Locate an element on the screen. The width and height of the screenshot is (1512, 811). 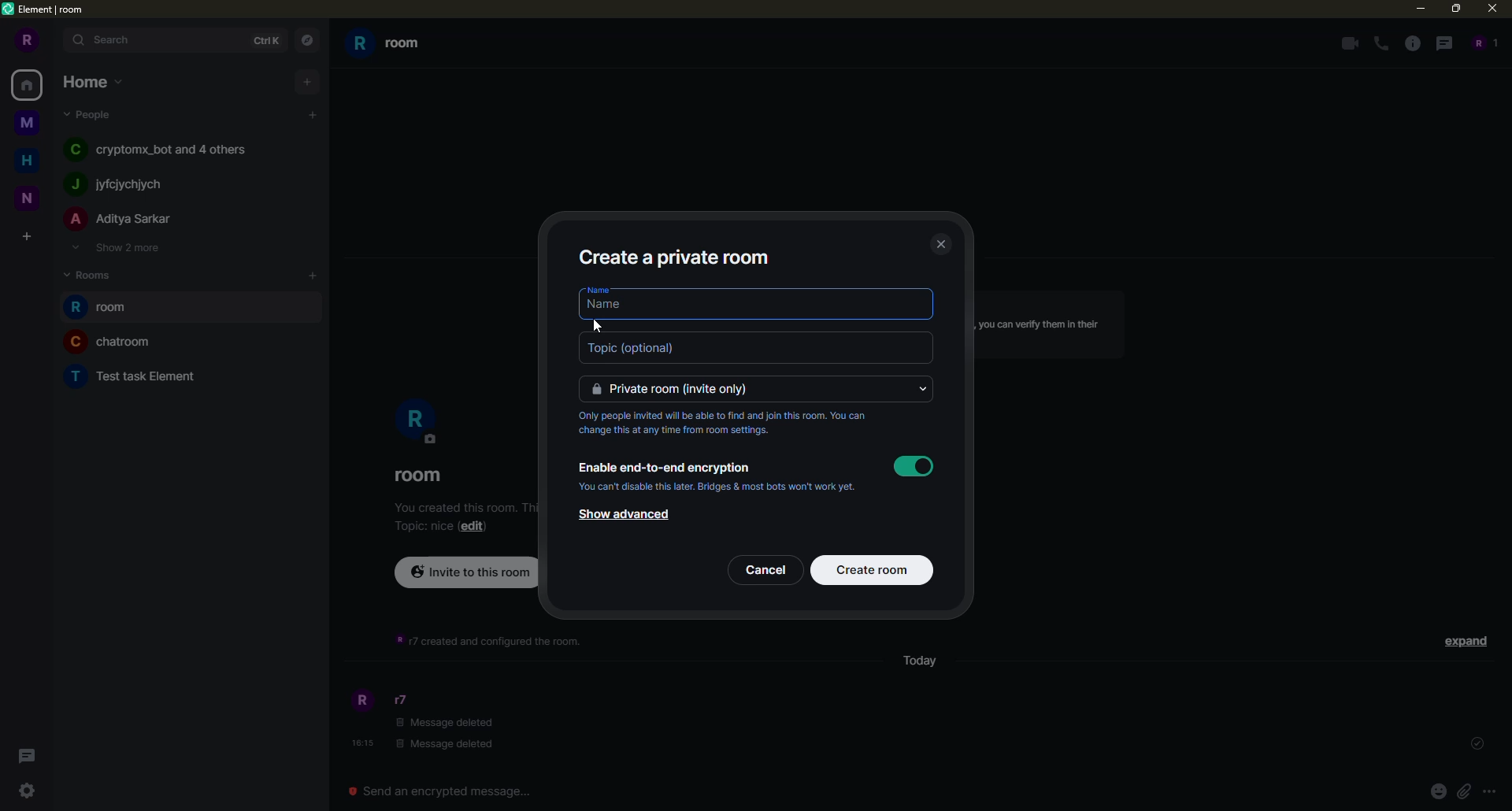
attach is located at coordinates (1465, 791).